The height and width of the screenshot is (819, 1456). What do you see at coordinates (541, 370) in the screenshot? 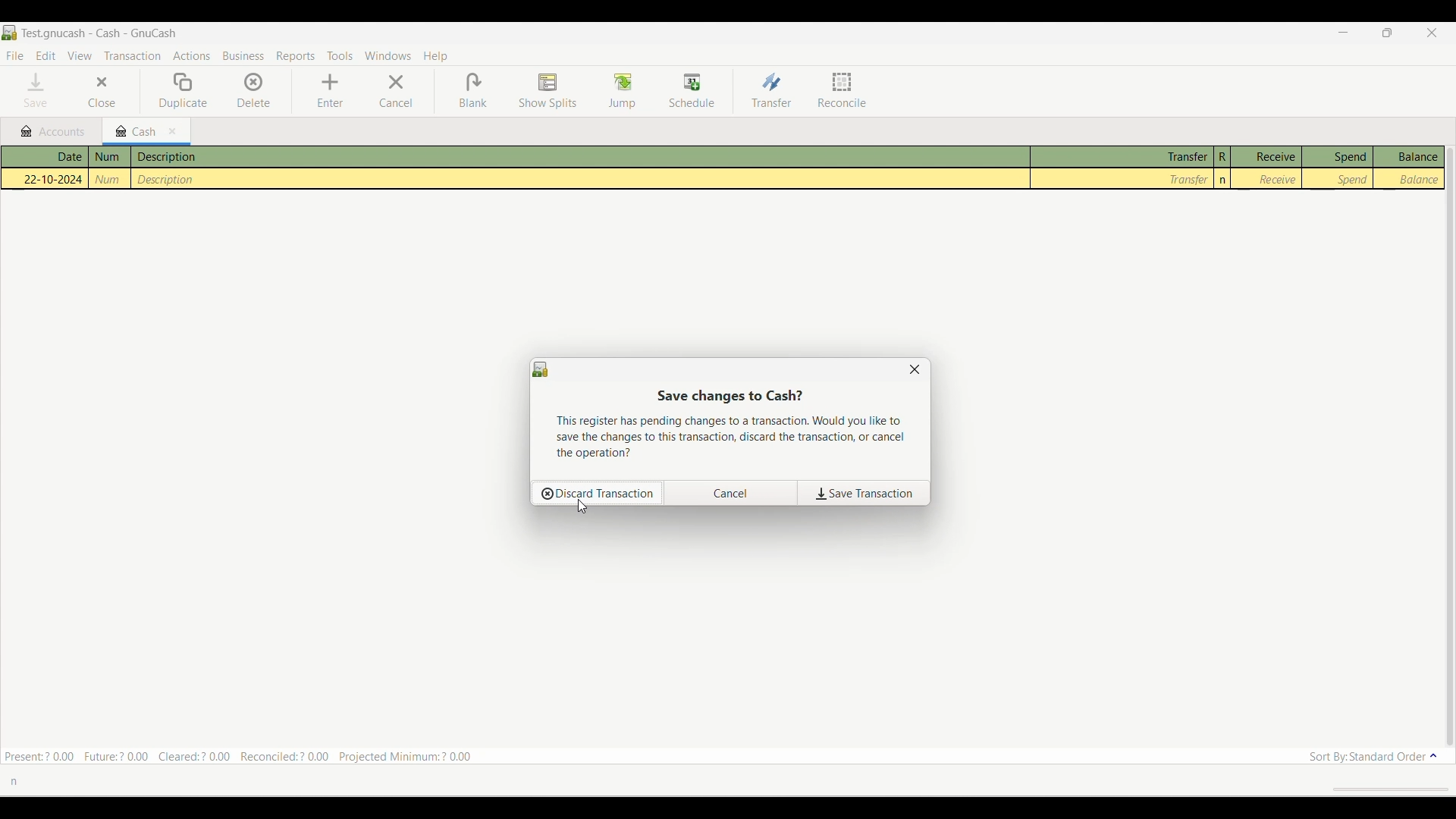
I see `Software logo` at bounding box center [541, 370].